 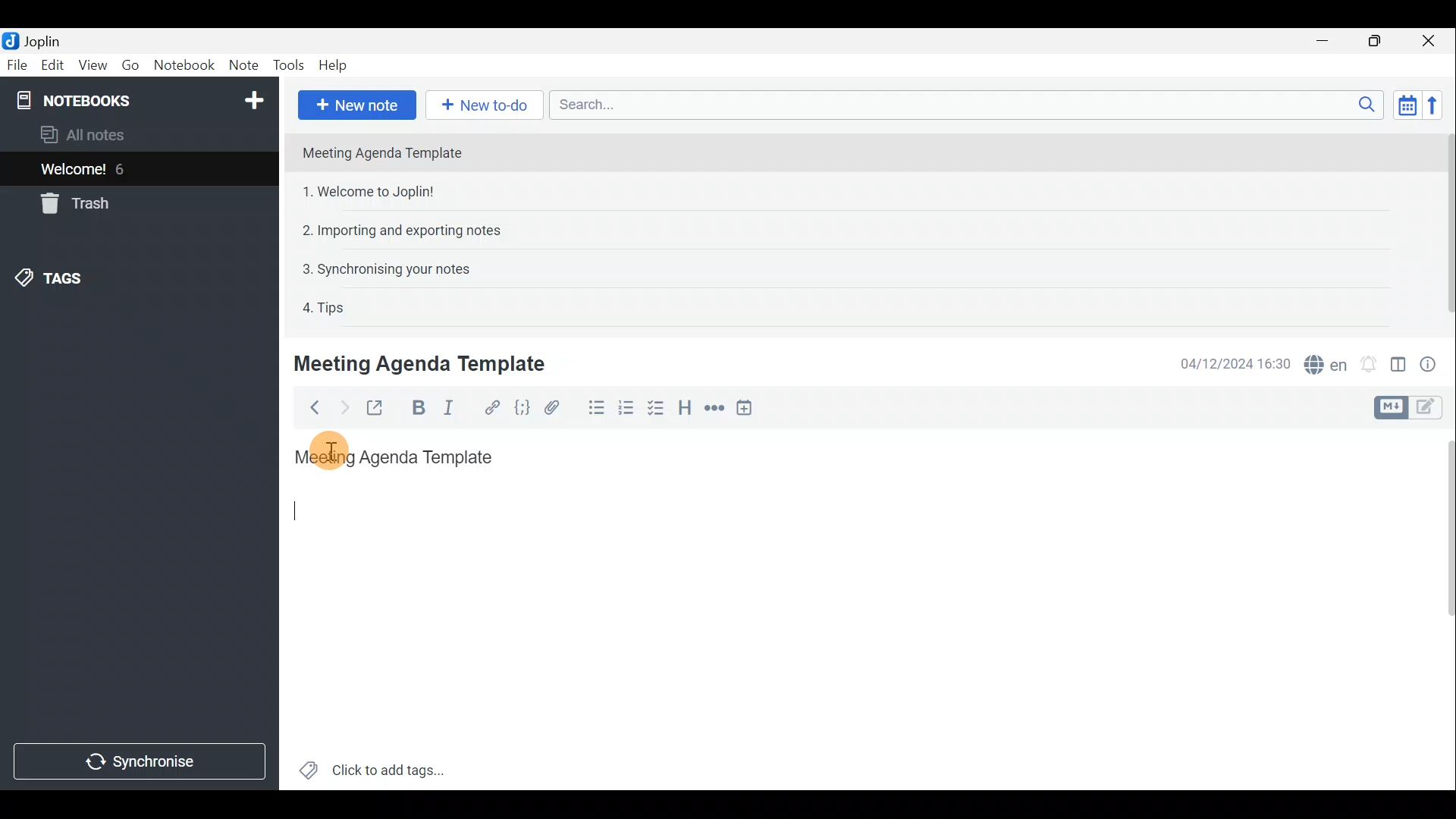 I want to click on Bulleted list, so click(x=595, y=408).